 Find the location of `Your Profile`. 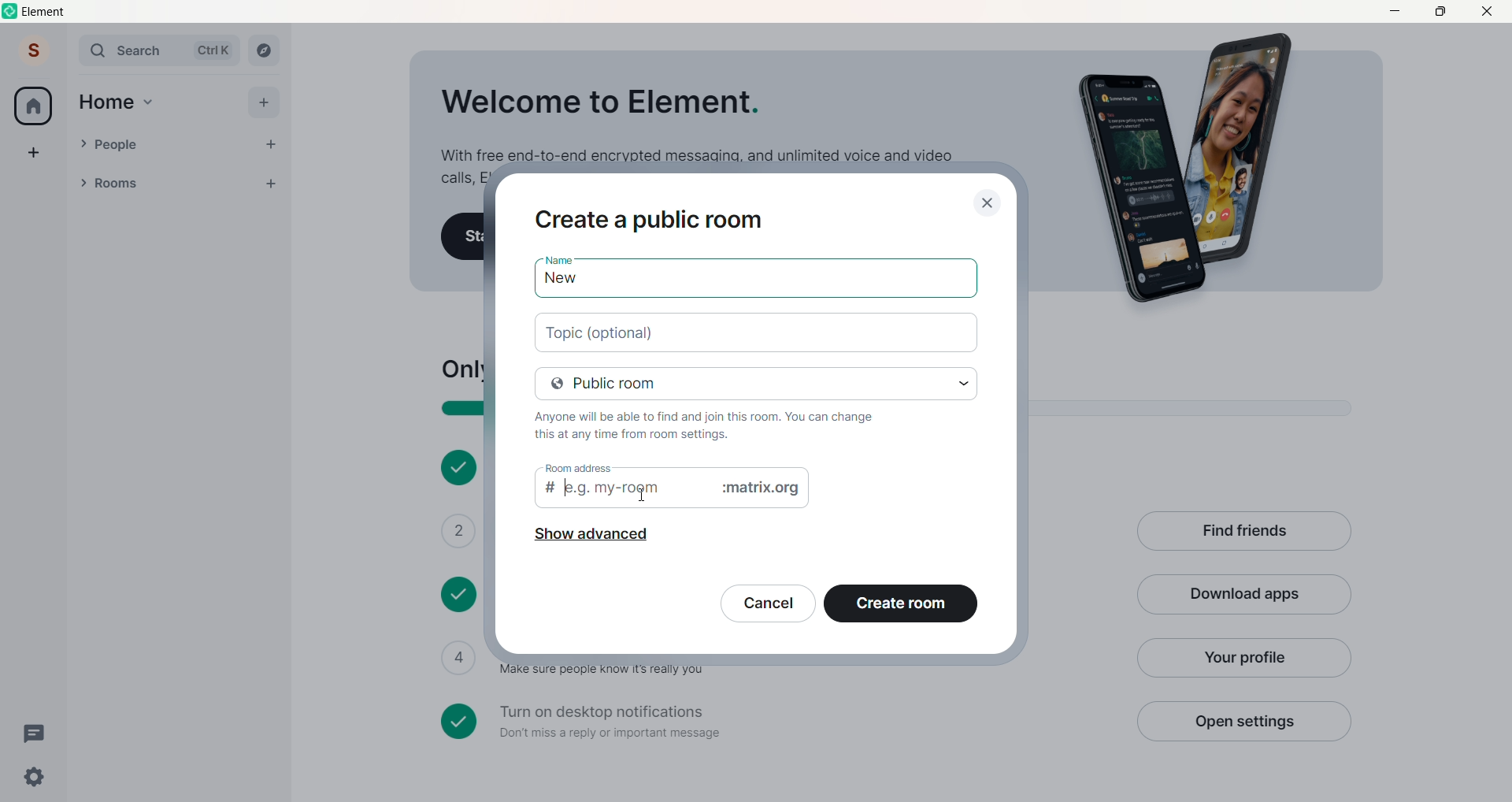

Your Profile is located at coordinates (1242, 658).